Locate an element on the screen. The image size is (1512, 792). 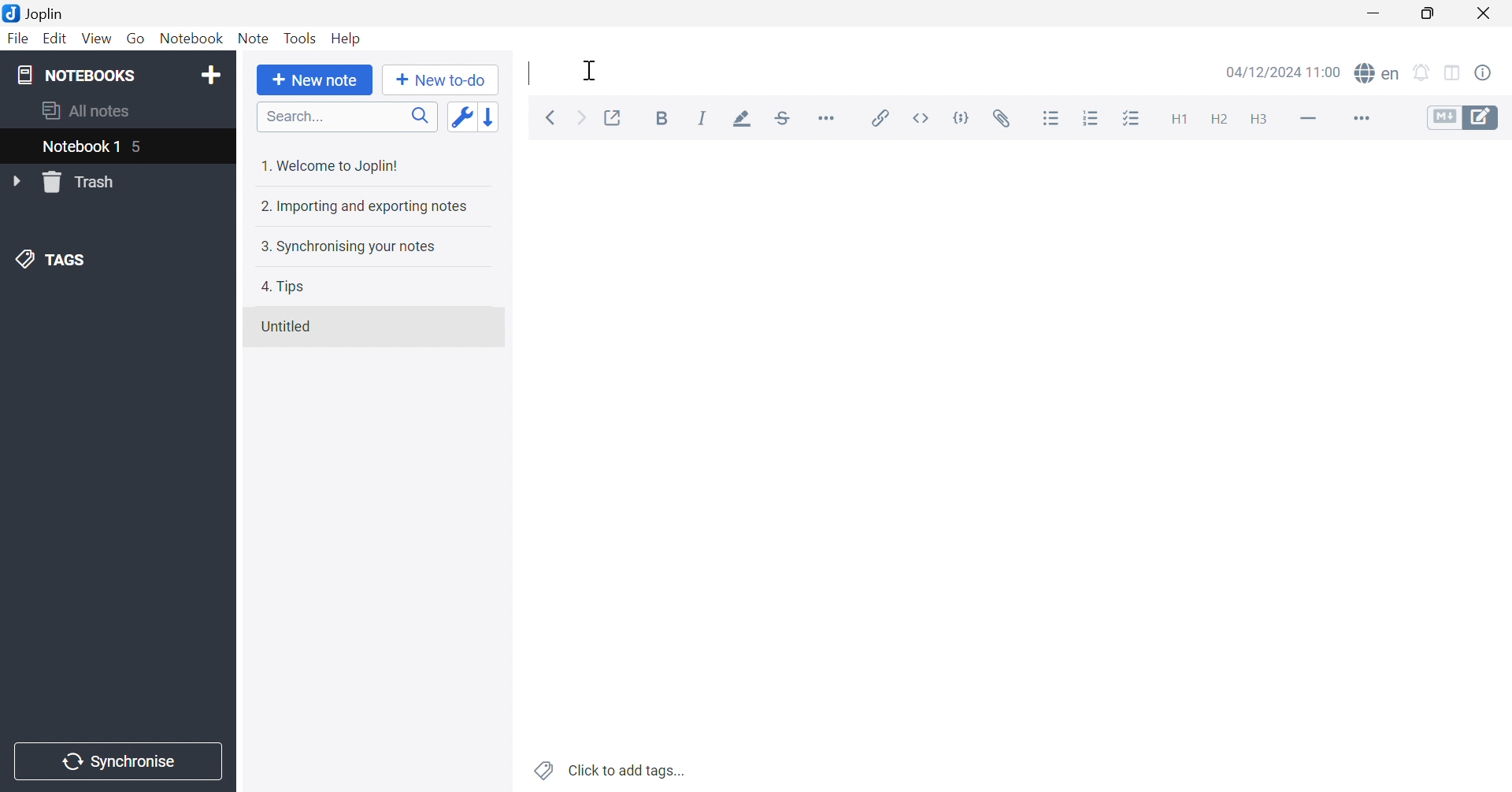
Set alarm is located at coordinates (1423, 72).